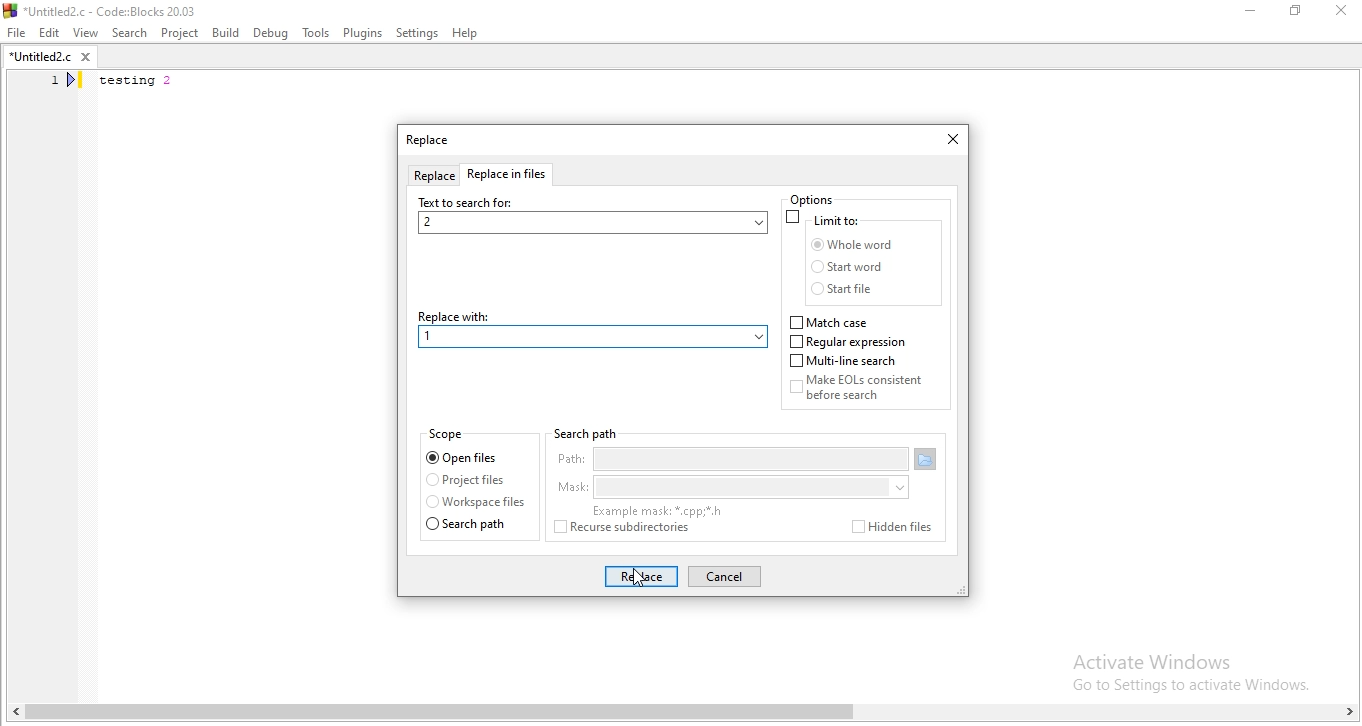 The height and width of the screenshot is (726, 1362). Describe the element at coordinates (511, 176) in the screenshot. I see `replace files` at that location.